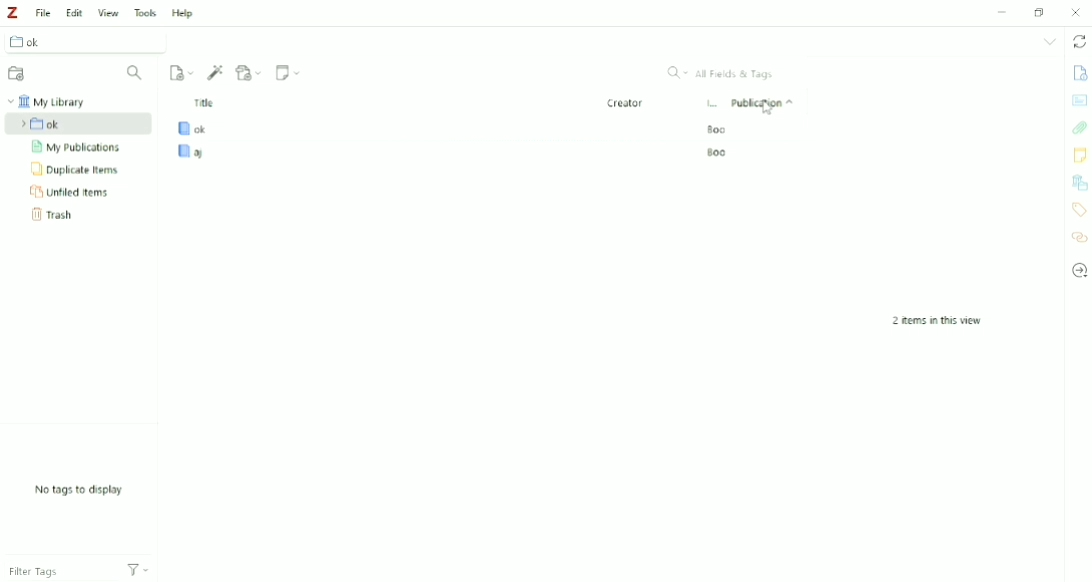 The width and height of the screenshot is (1092, 582). What do you see at coordinates (146, 13) in the screenshot?
I see `Tools` at bounding box center [146, 13].